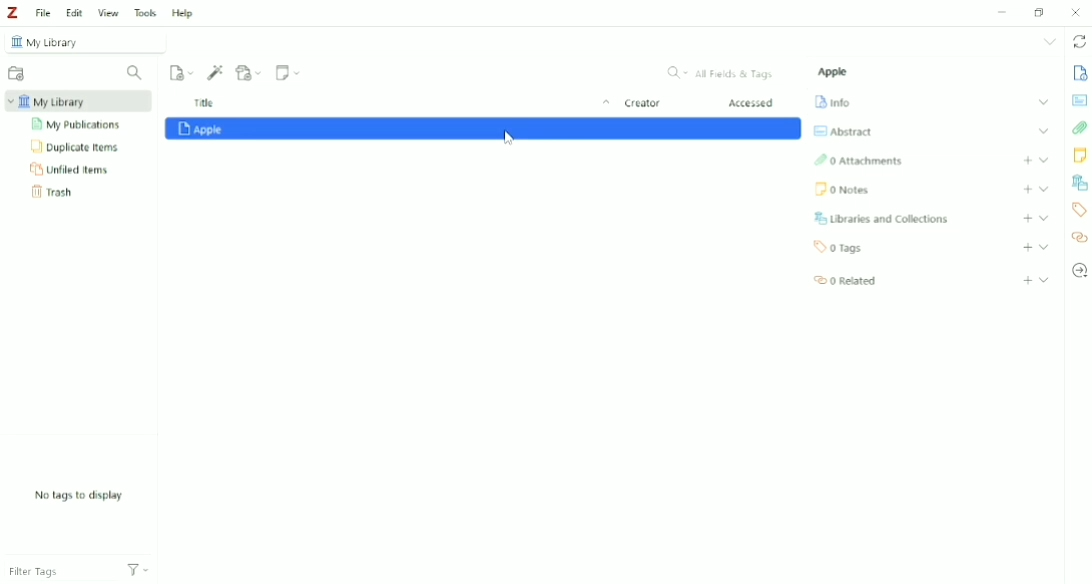 The image size is (1092, 584). I want to click on Abstract, so click(843, 131).